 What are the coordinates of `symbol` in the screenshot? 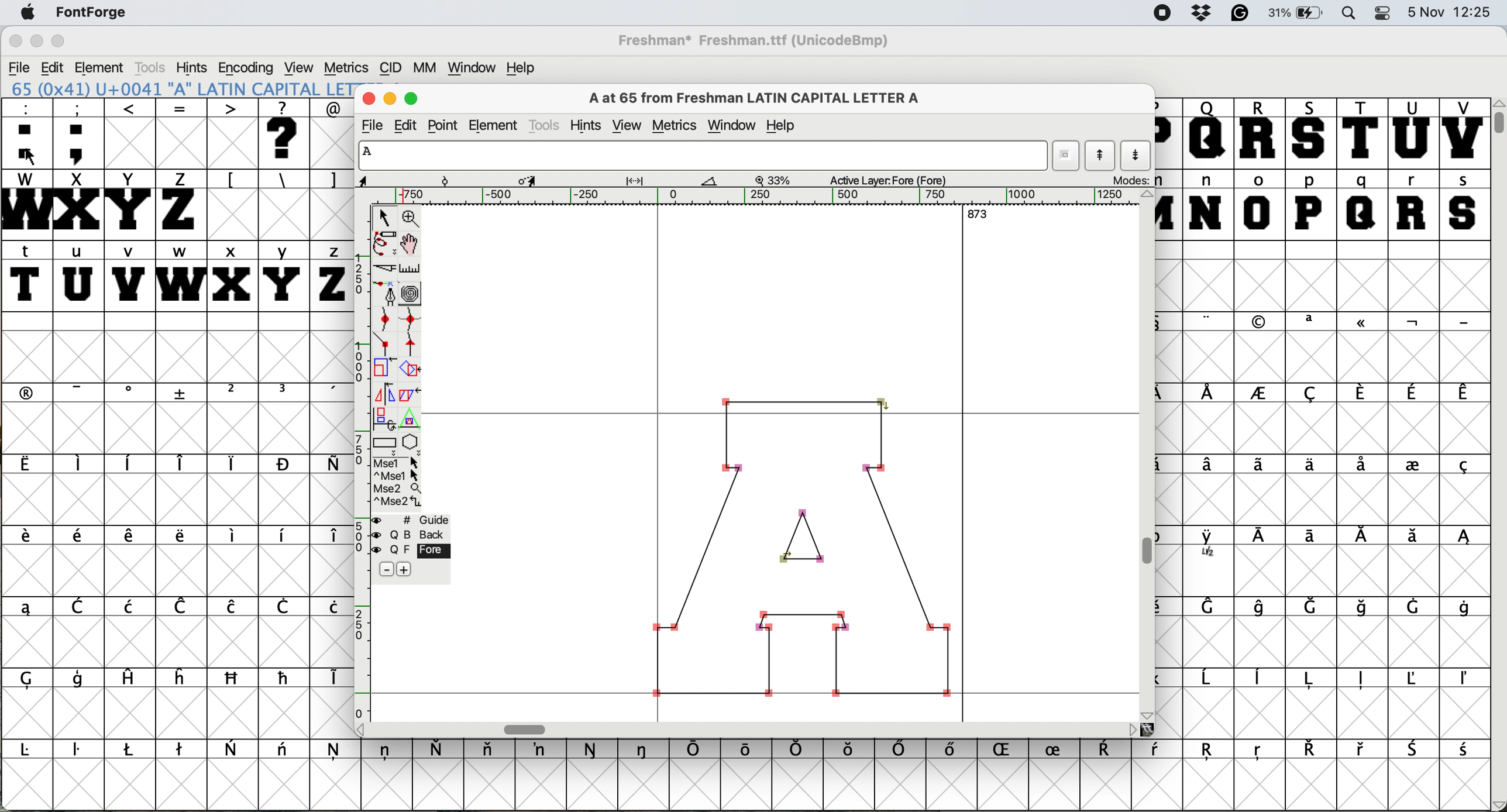 It's located at (1315, 537).